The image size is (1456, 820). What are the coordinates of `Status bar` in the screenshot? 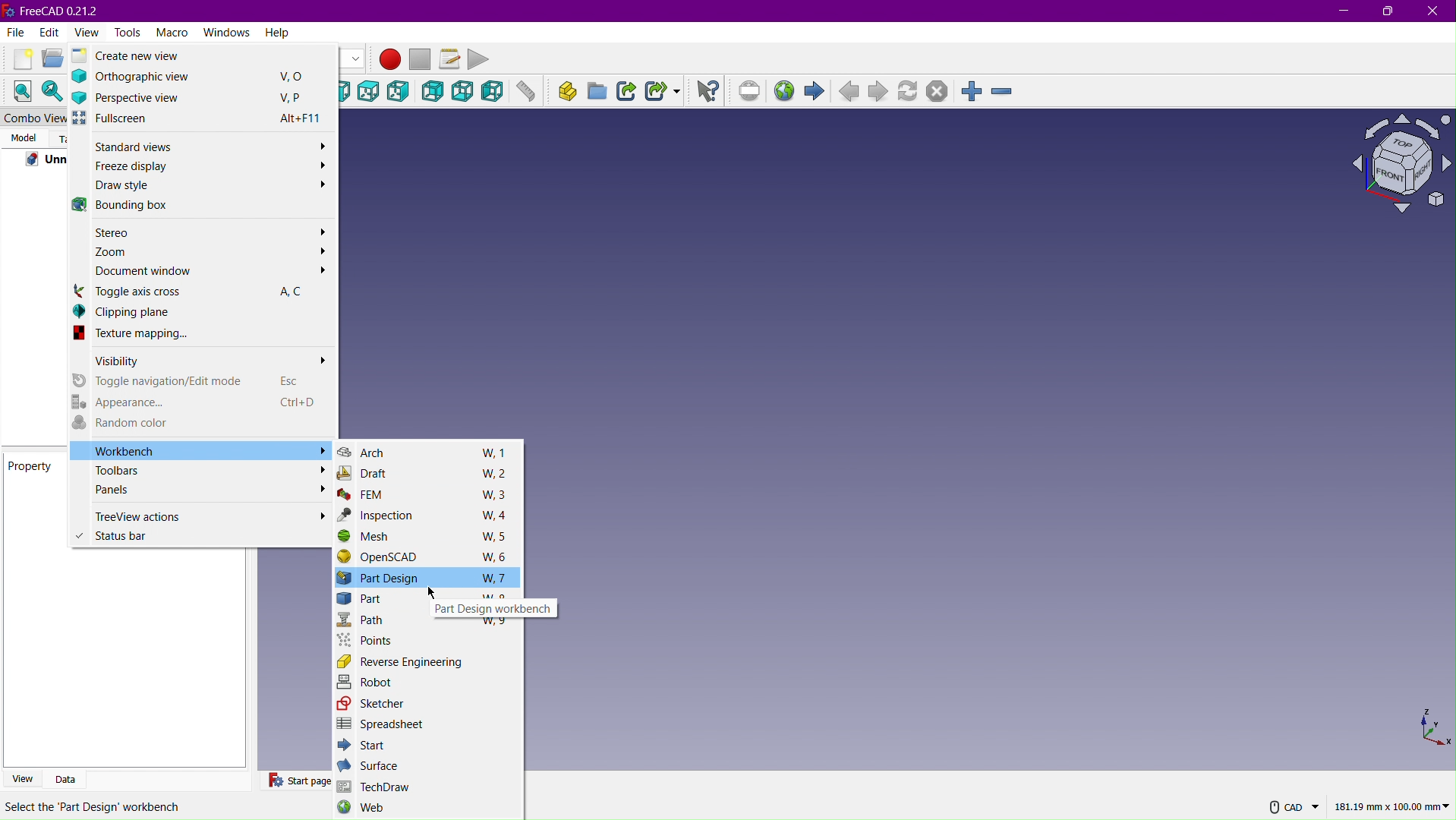 It's located at (200, 538).